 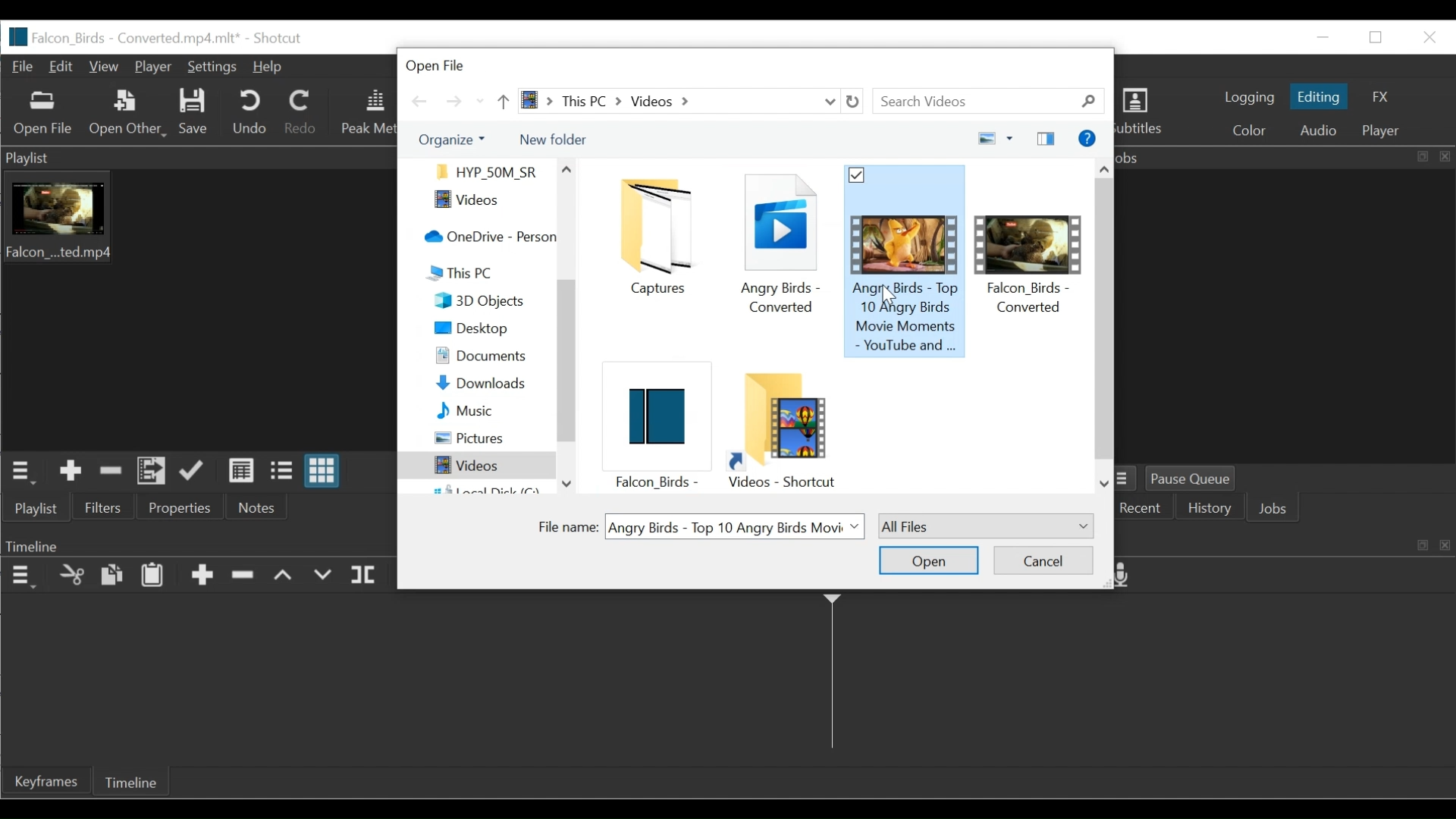 What do you see at coordinates (778, 249) in the screenshot?
I see `Angry birds - converted` at bounding box center [778, 249].